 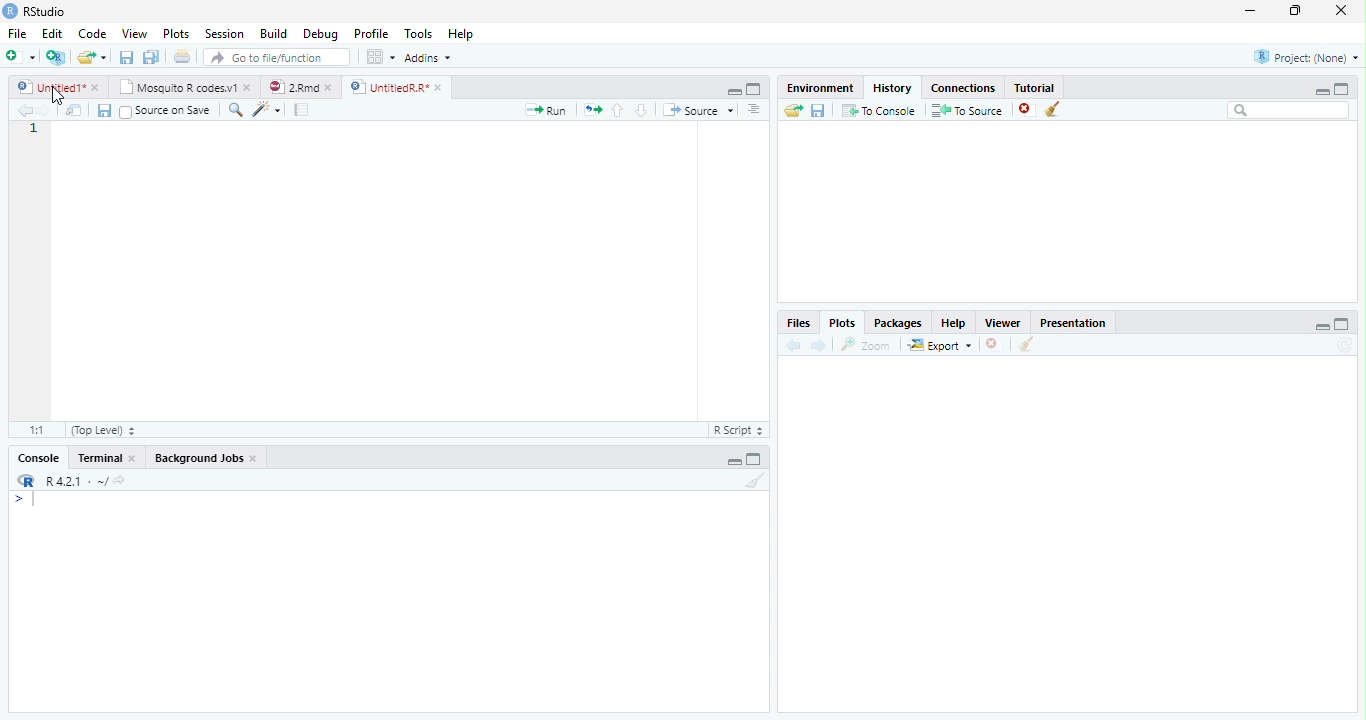 What do you see at coordinates (48, 86) in the screenshot?
I see `Untitled1*` at bounding box center [48, 86].